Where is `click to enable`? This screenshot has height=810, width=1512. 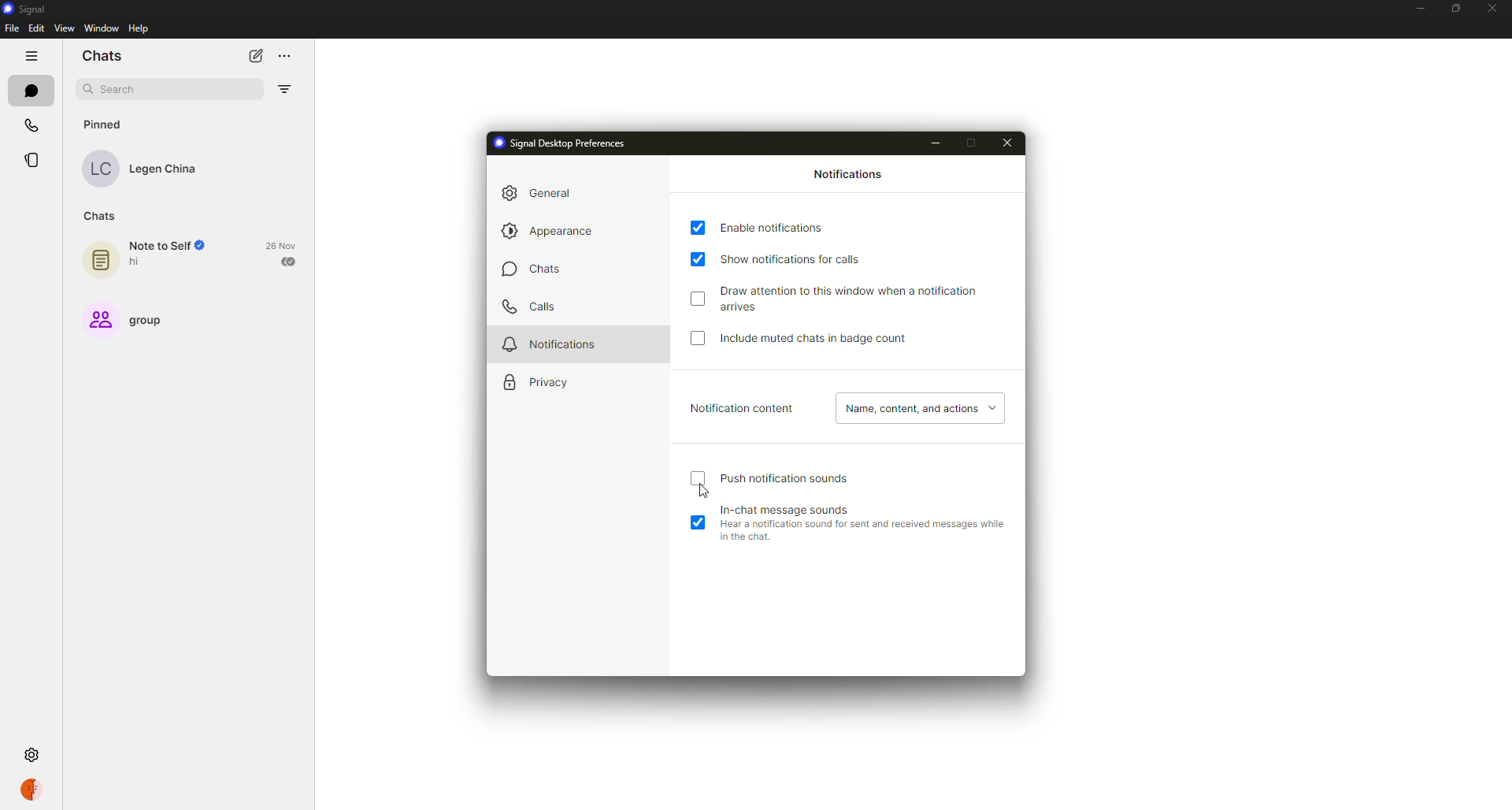 click to enable is located at coordinates (694, 337).